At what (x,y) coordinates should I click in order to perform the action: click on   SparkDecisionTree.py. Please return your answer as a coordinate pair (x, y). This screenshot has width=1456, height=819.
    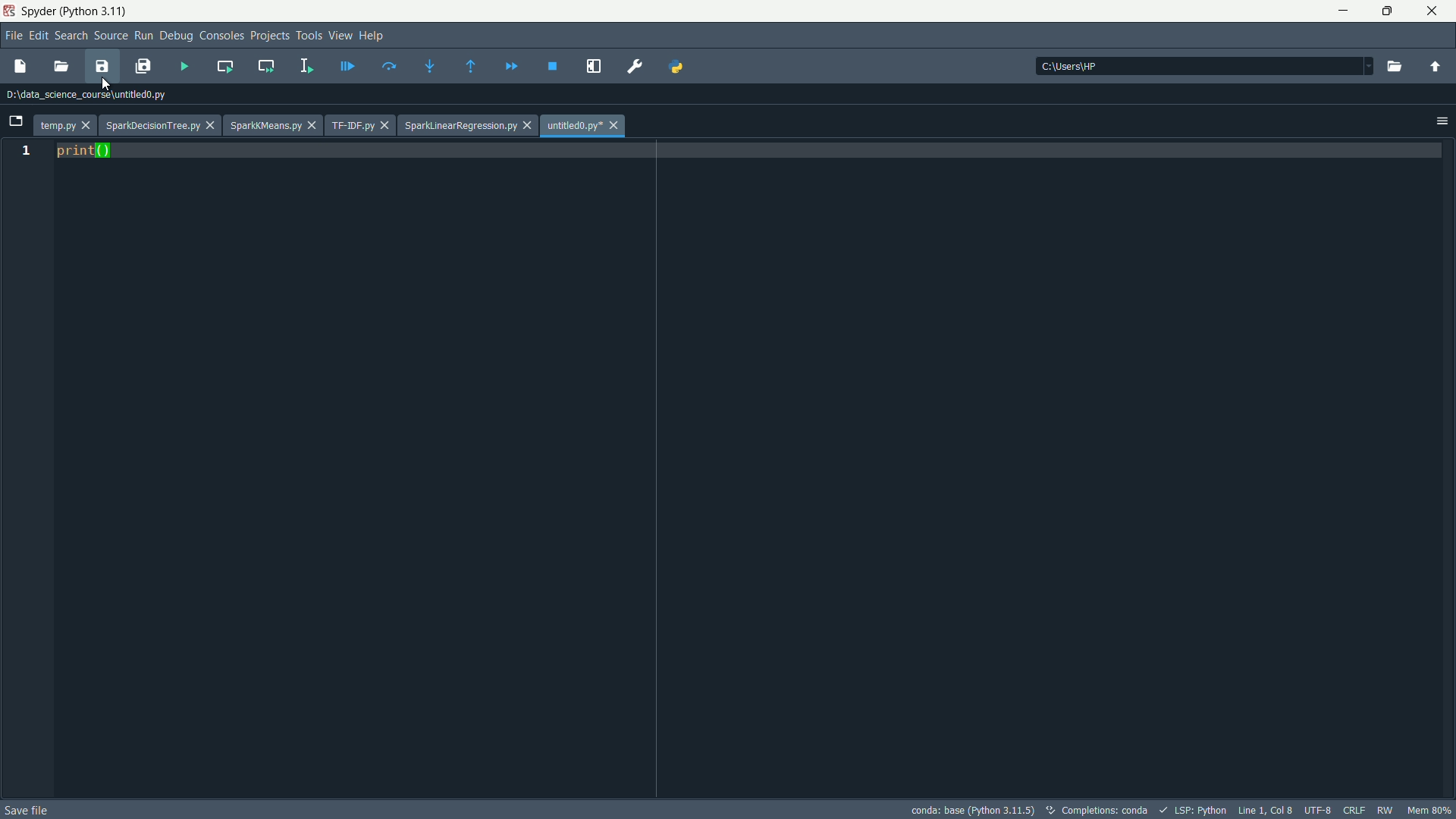
    Looking at the image, I should click on (152, 127).